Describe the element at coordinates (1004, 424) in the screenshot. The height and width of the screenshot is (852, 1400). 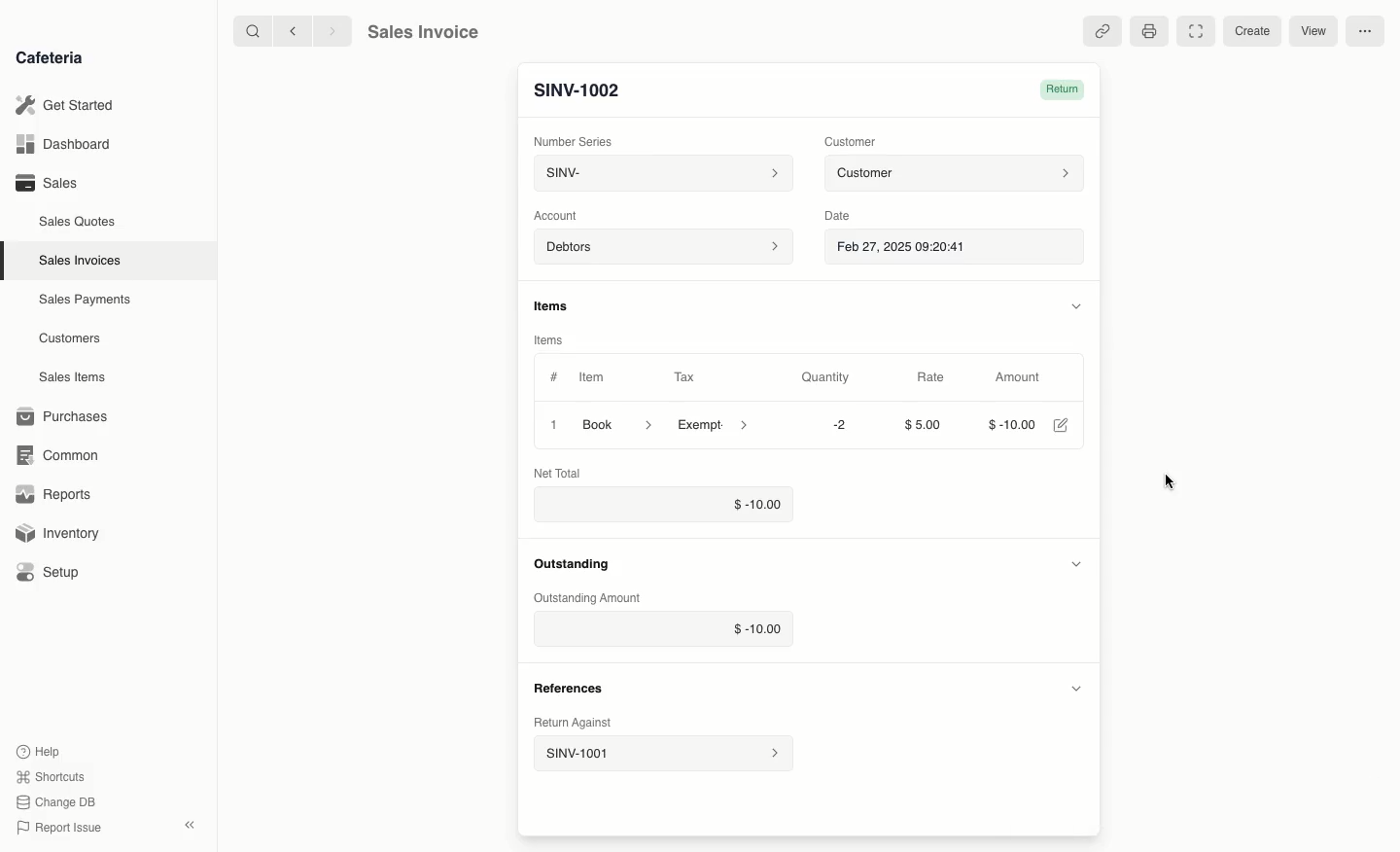
I see `$-10.00` at that location.